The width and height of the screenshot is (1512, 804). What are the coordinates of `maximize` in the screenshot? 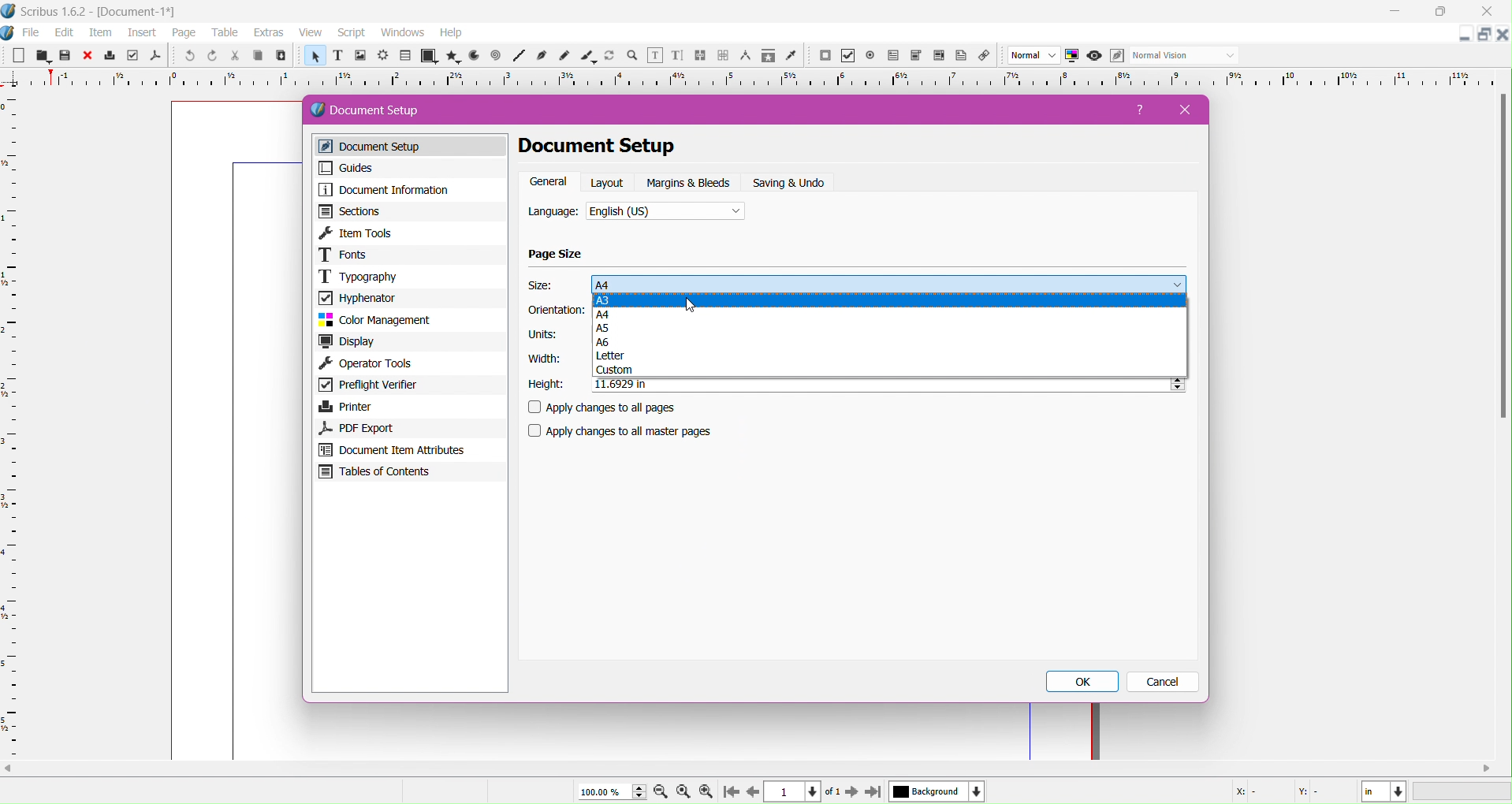 It's located at (1446, 12).